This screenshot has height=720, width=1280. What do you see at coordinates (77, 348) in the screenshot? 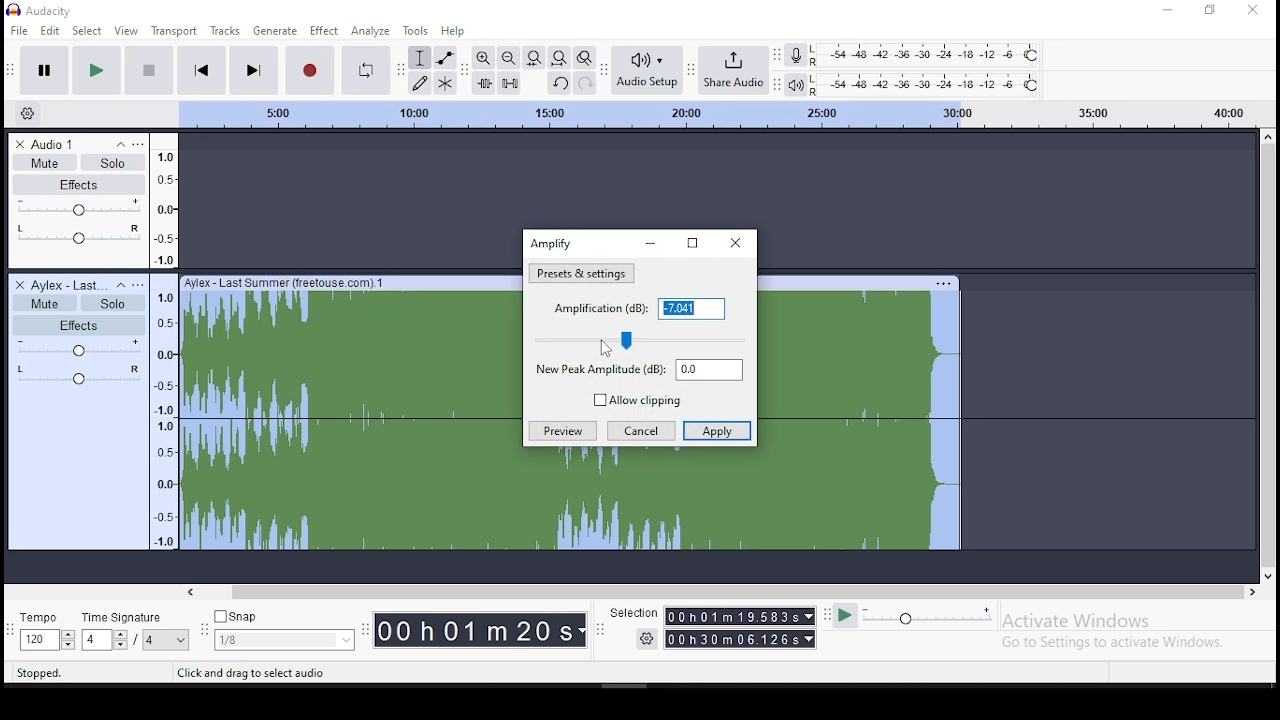
I see `volume` at bounding box center [77, 348].